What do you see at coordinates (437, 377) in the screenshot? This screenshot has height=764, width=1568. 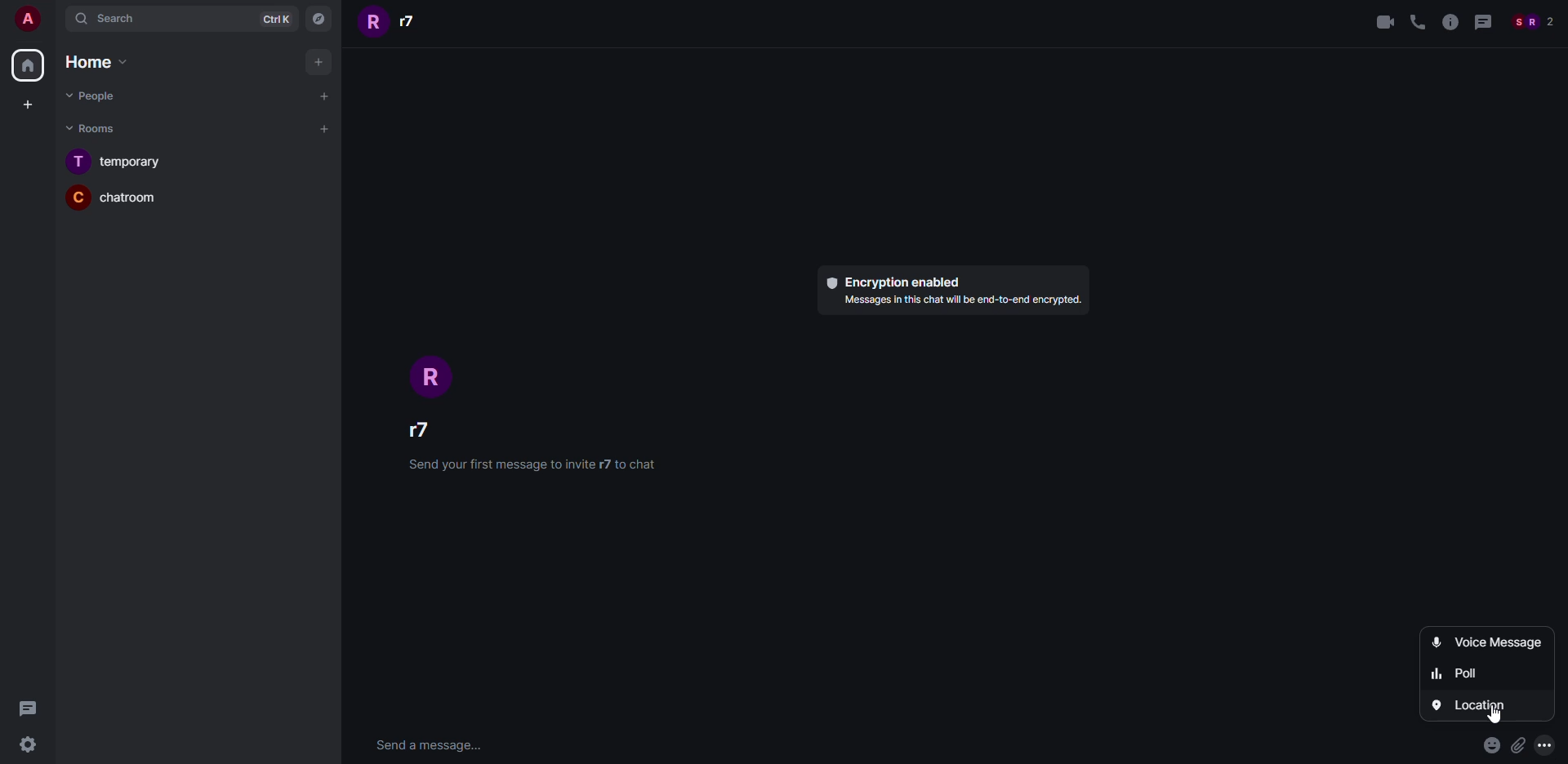 I see `Icon` at bounding box center [437, 377].